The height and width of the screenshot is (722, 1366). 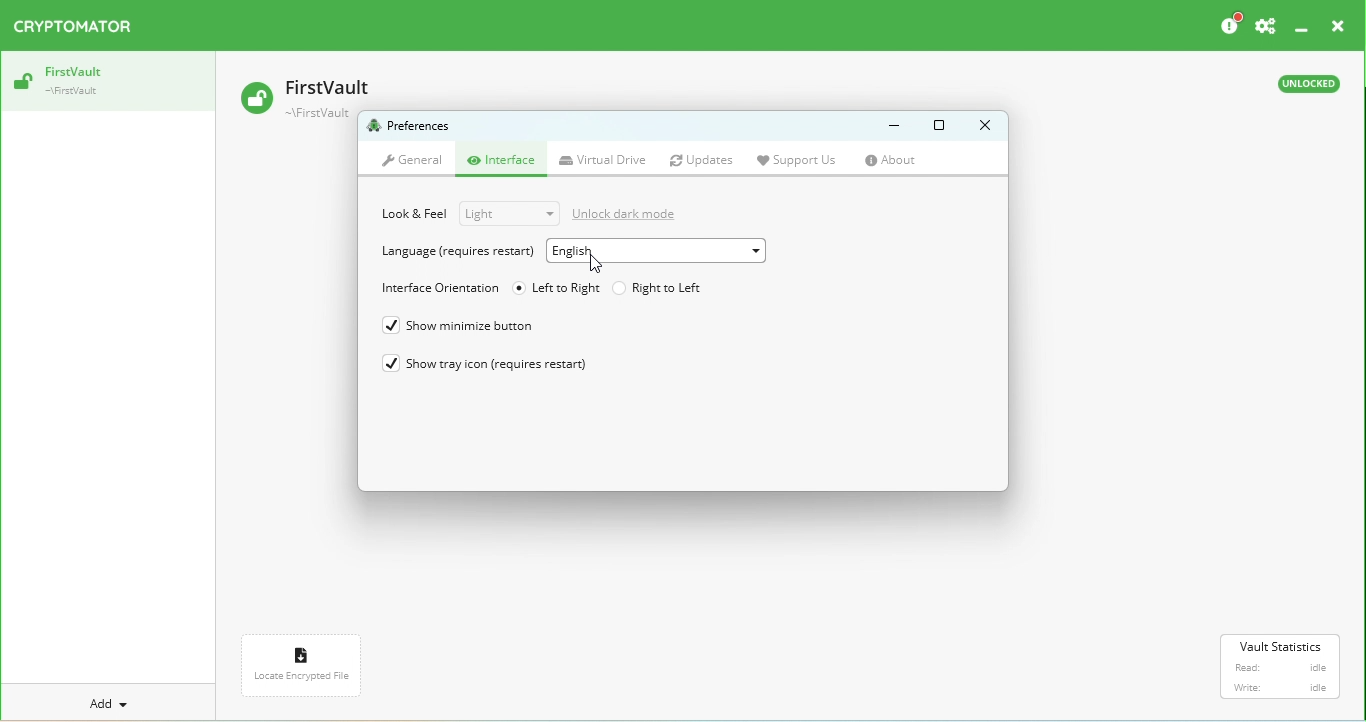 What do you see at coordinates (1266, 26) in the screenshot?
I see `Preferences` at bounding box center [1266, 26].